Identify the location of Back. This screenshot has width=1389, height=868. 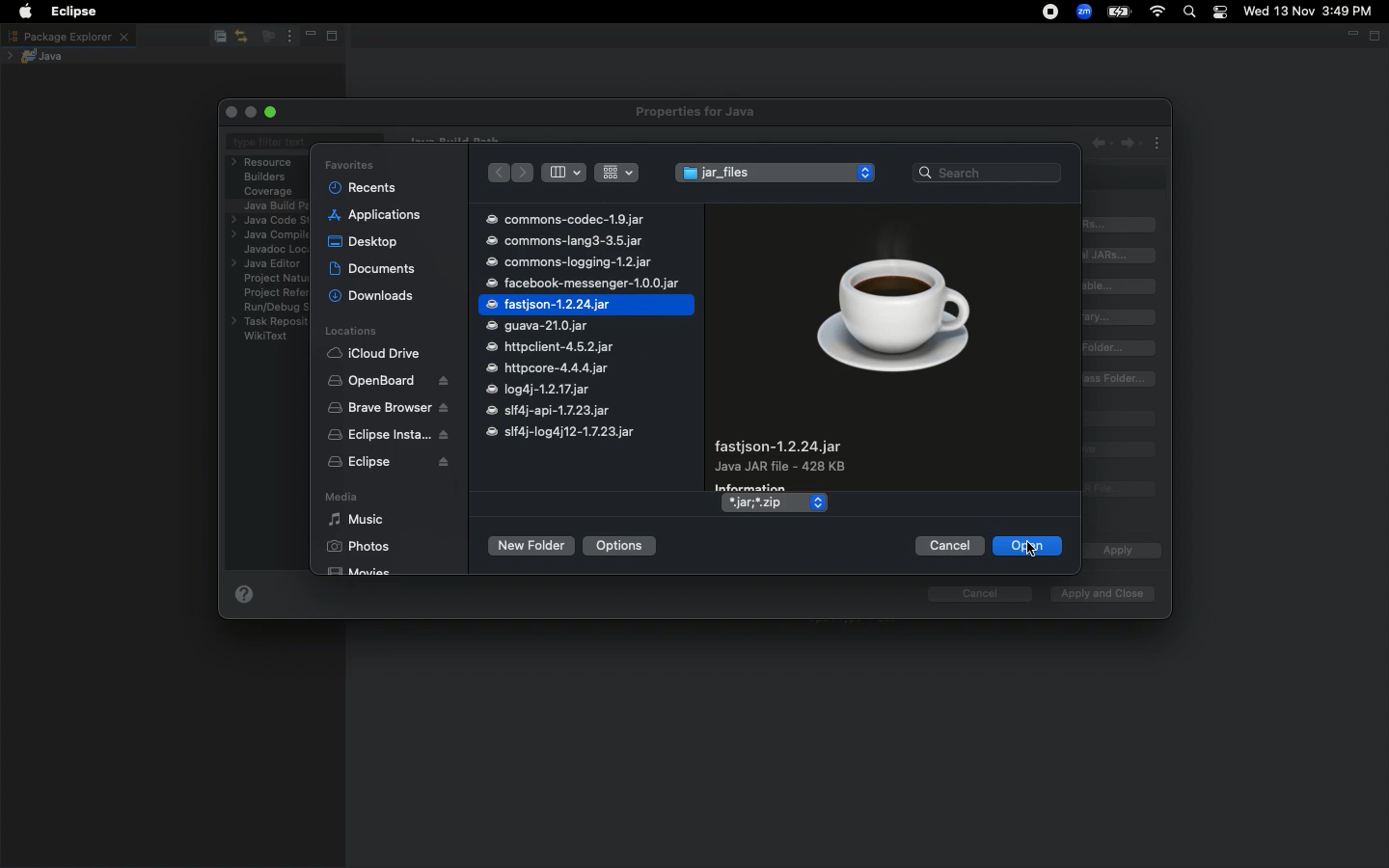
(497, 174).